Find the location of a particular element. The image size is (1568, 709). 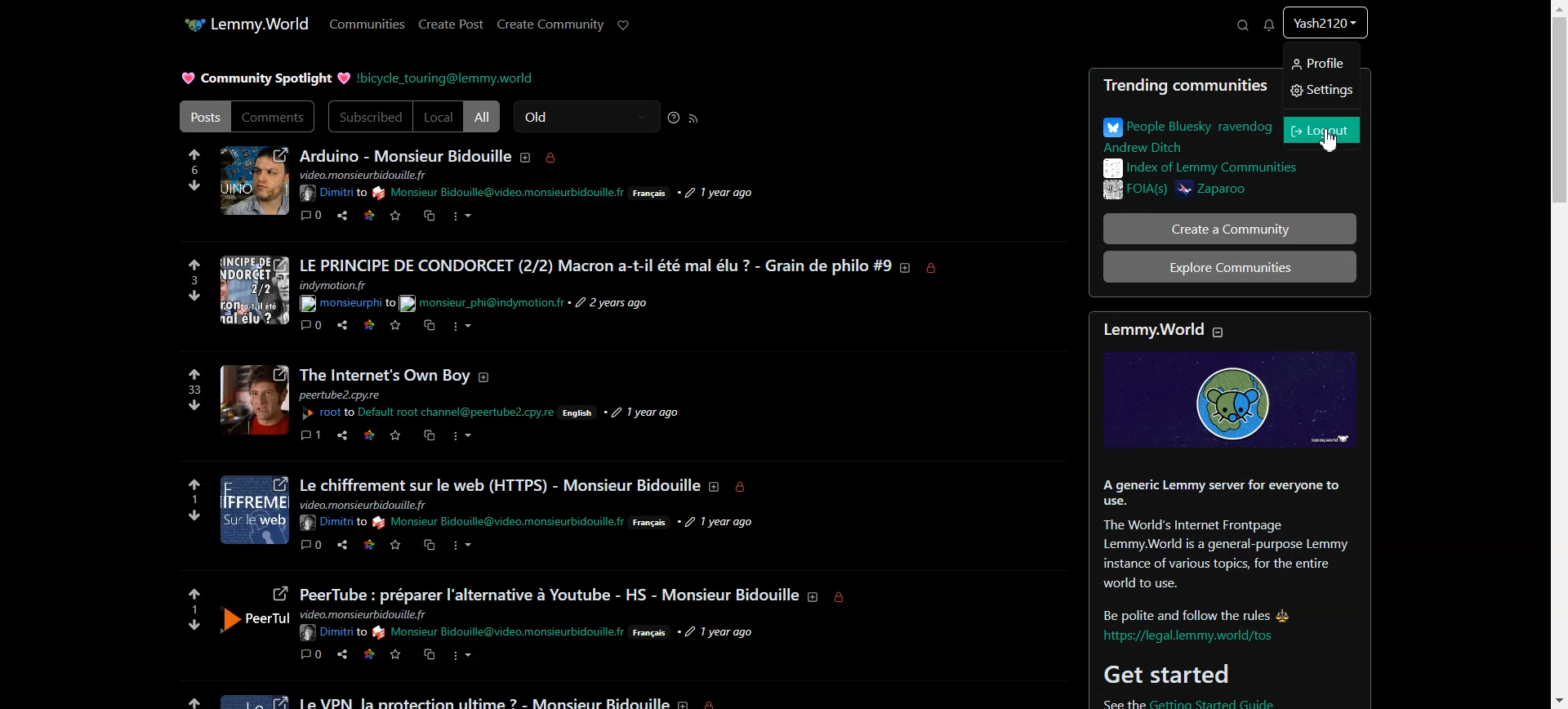

Profile is located at coordinates (1330, 23).